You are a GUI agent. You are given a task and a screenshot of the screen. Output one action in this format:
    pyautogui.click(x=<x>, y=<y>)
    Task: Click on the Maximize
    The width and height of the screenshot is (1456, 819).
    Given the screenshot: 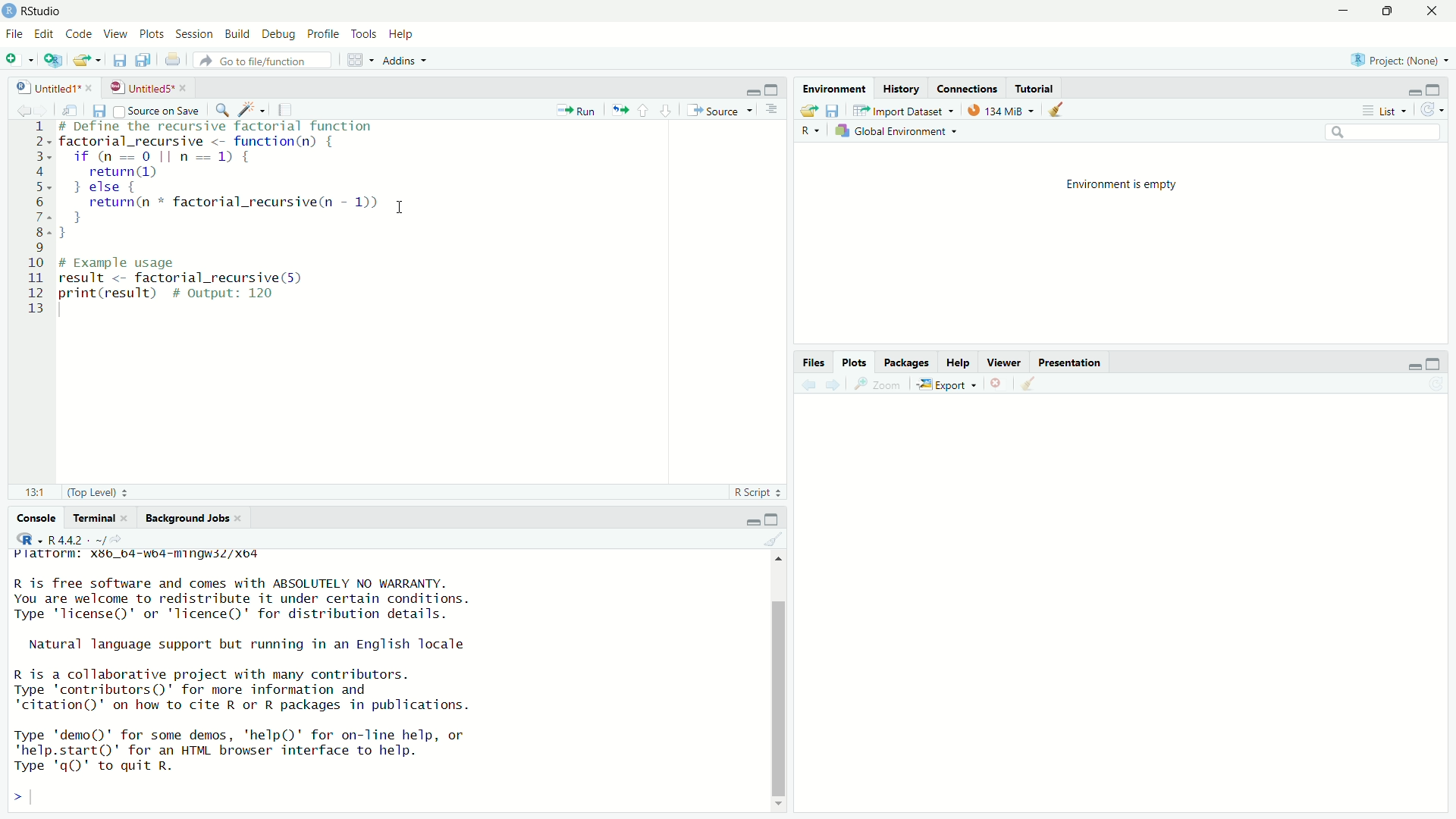 What is the action you would take?
    pyautogui.click(x=773, y=89)
    